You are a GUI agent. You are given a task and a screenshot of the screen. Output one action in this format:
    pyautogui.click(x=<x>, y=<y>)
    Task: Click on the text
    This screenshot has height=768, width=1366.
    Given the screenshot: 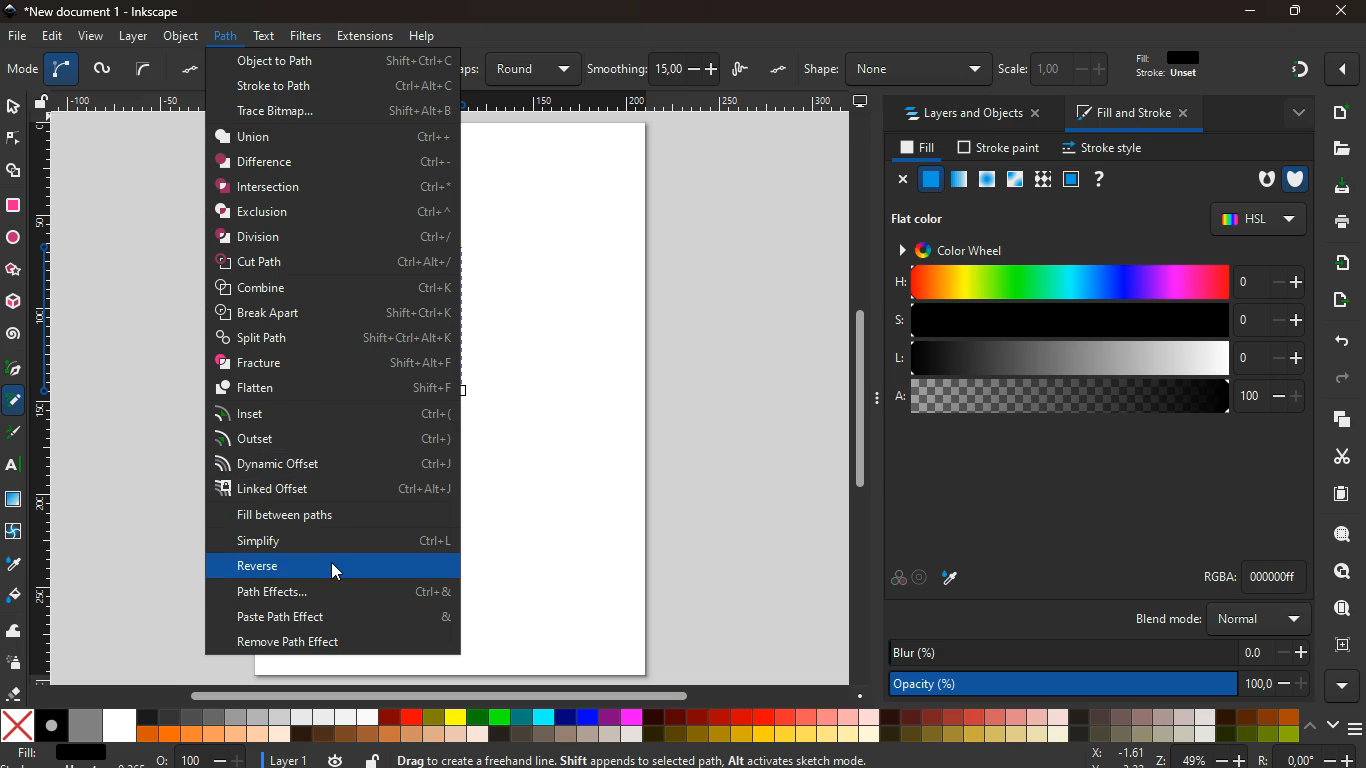 What is the action you would take?
    pyautogui.click(x=266, y=34)
    